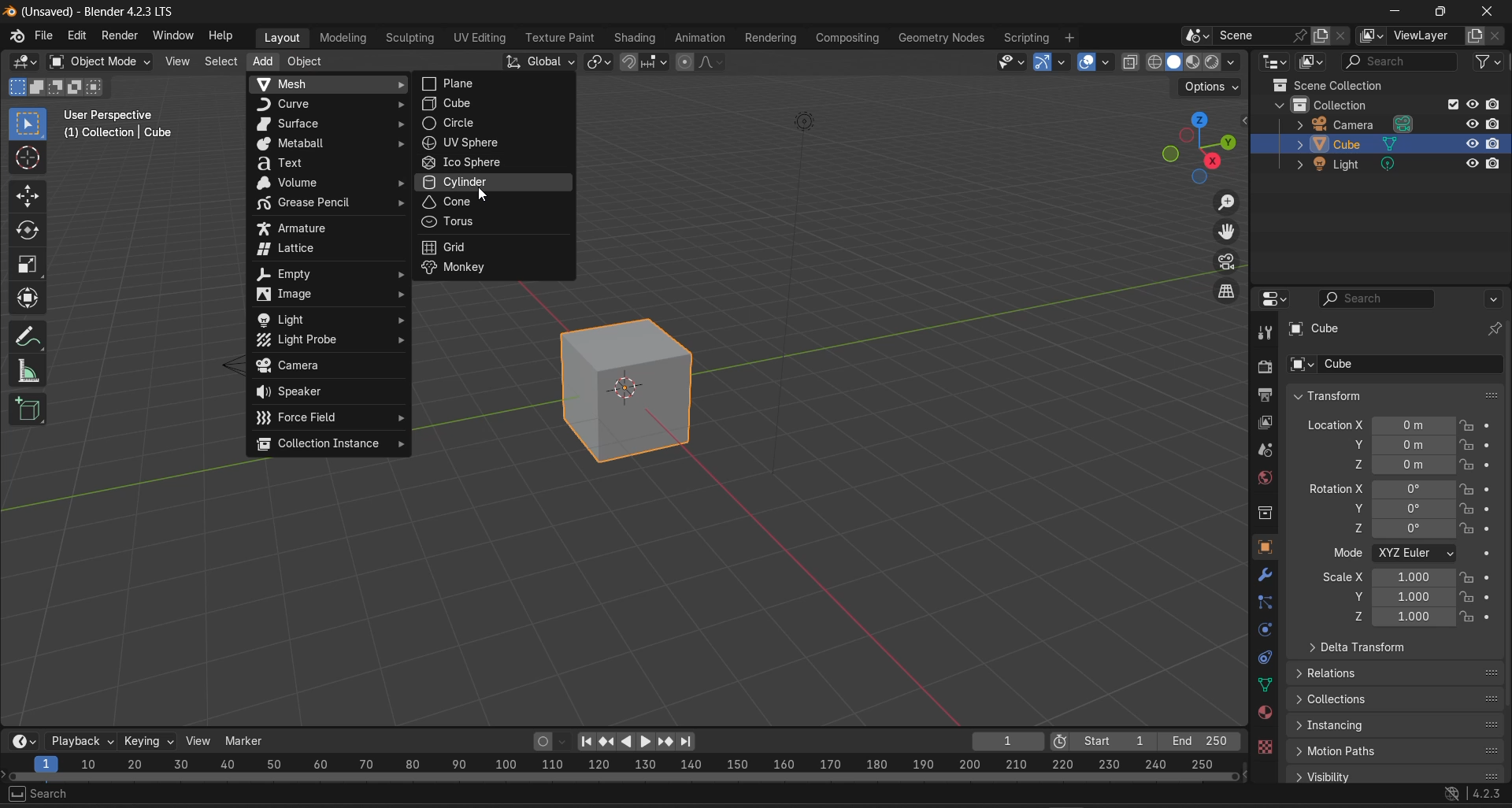  Describe the element at coordinates (1469, 489) in the screenshot. I see `lock rotation` at that location.